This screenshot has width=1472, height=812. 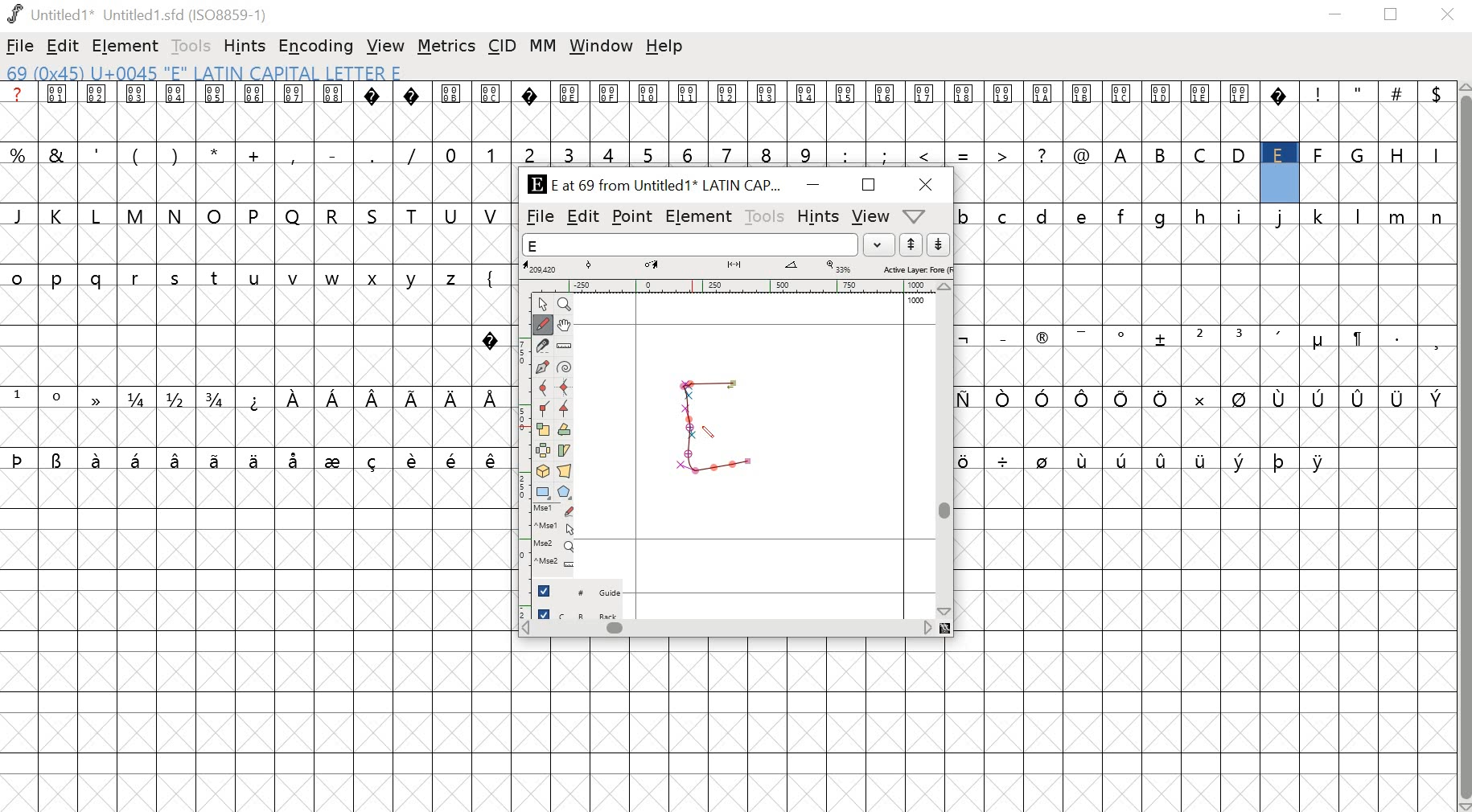 I want to click on empty cells, so click(x=735, y=726).